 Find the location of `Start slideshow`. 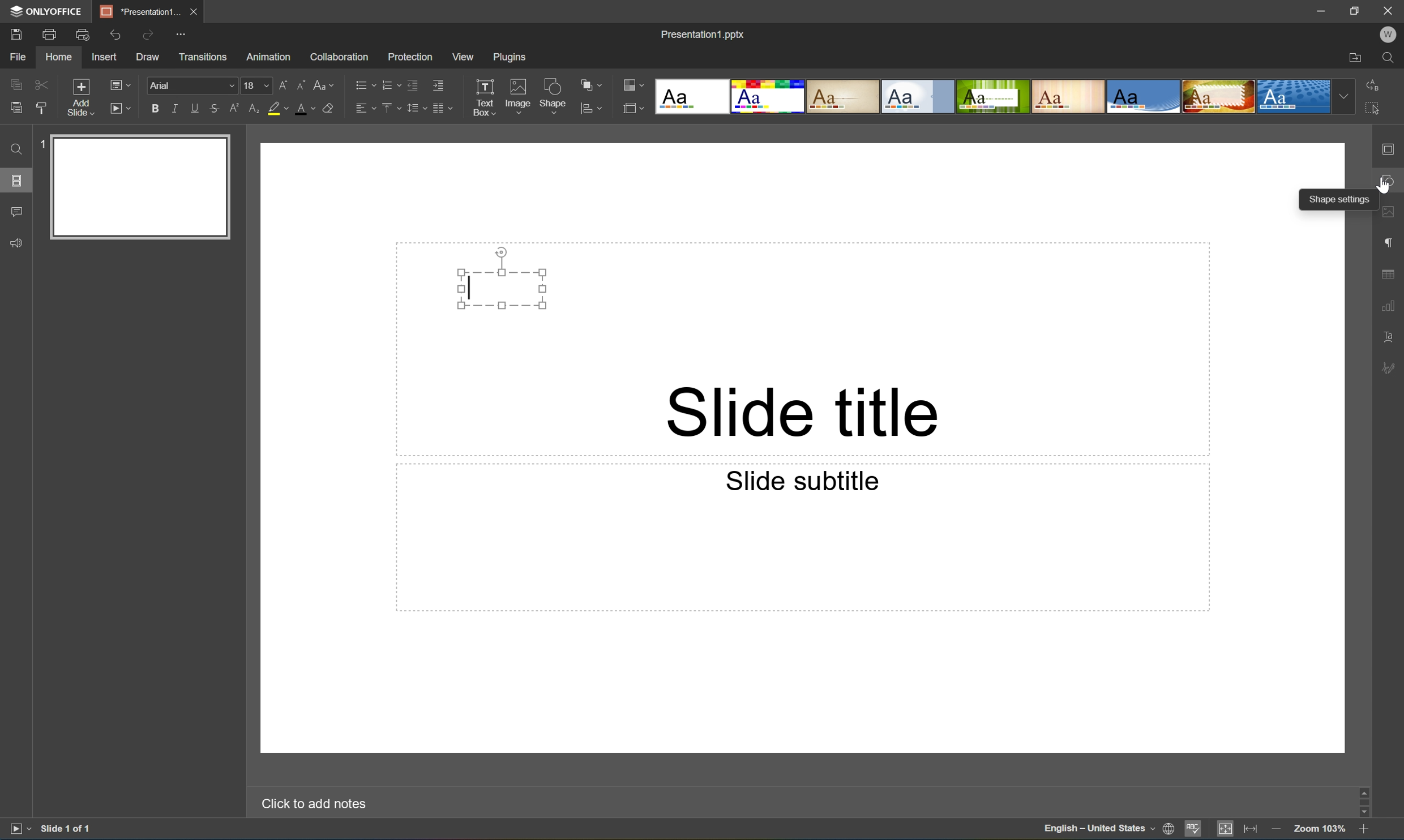

Start slideshow is located at coordinates (119, 107).